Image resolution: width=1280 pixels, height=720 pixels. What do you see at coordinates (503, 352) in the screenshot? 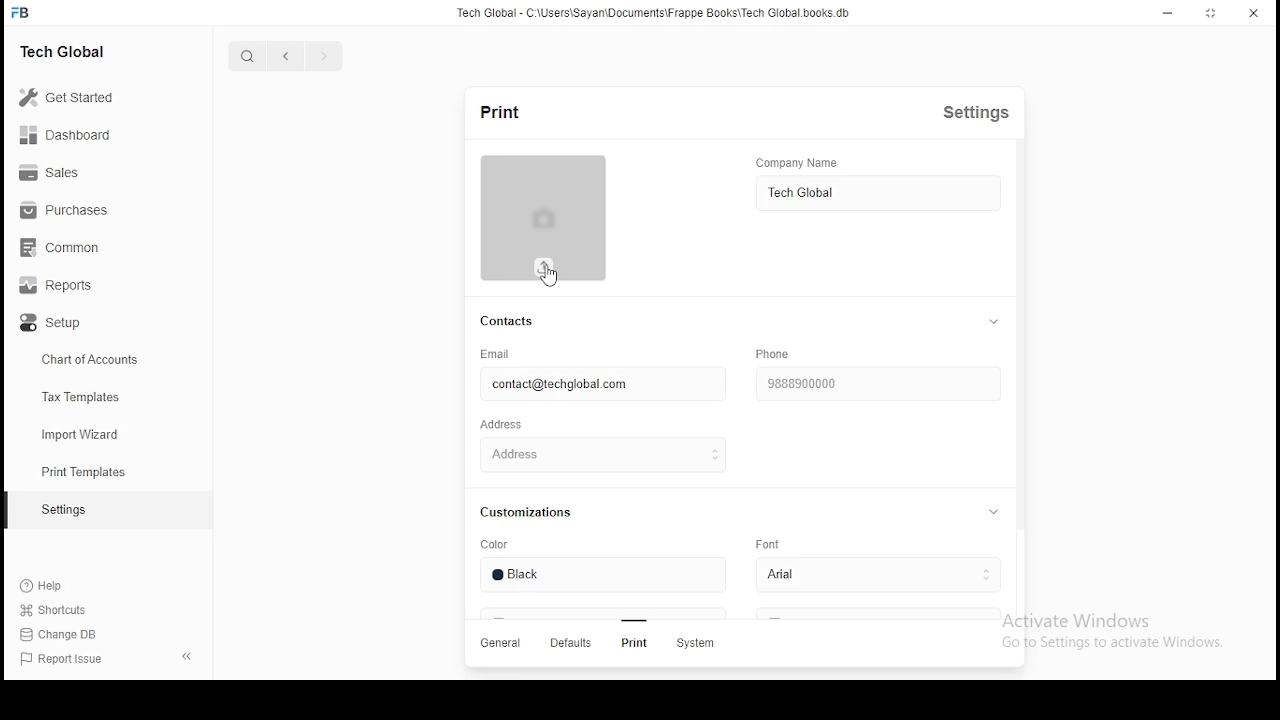
I see `‘Email` at bounding box center [503, 352].